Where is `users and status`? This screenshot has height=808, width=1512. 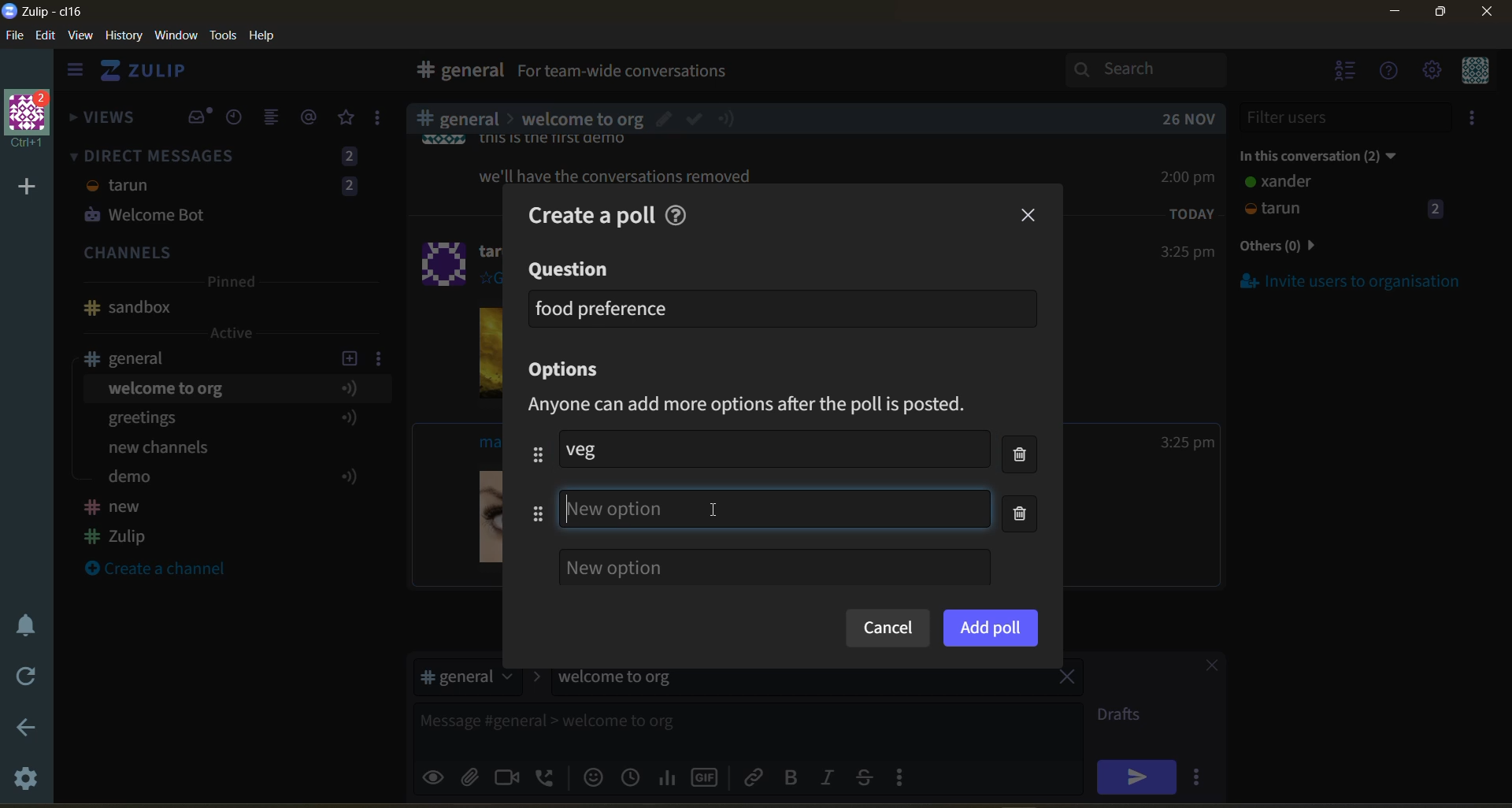
users and status is located at coordinates (1346, 198).